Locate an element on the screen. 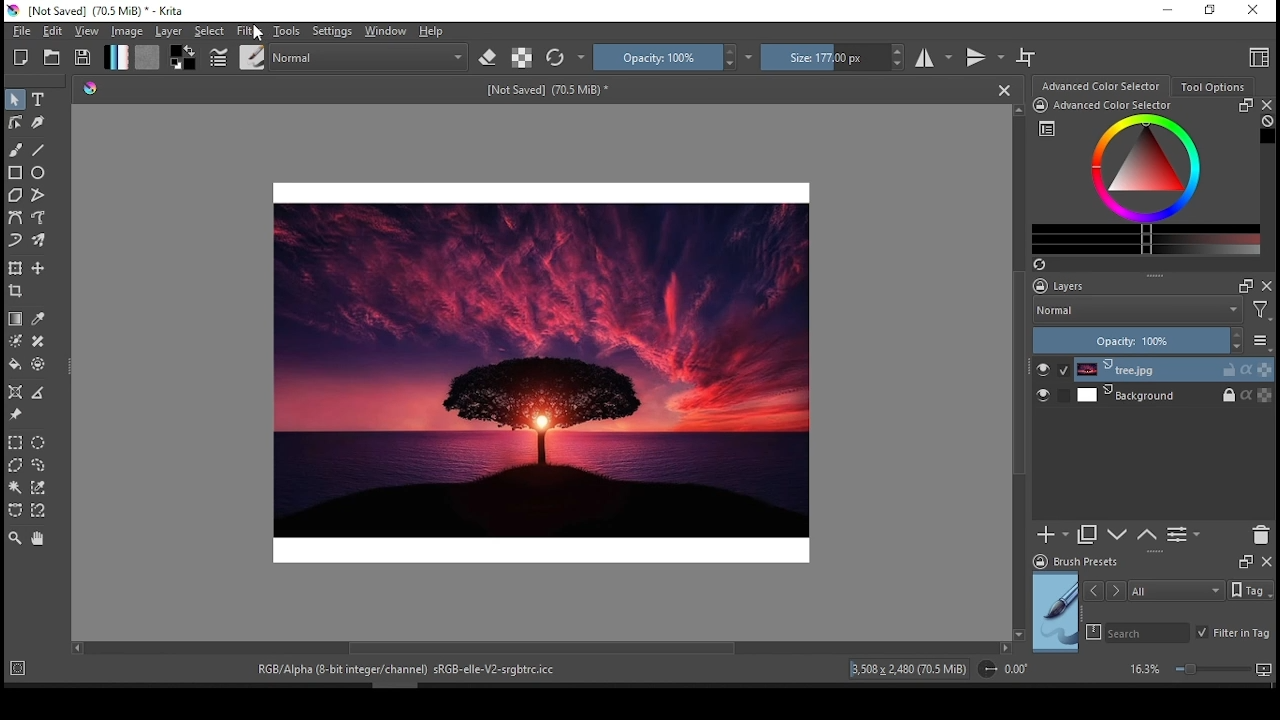  select shapes tool is located at coordinates (15, 100).